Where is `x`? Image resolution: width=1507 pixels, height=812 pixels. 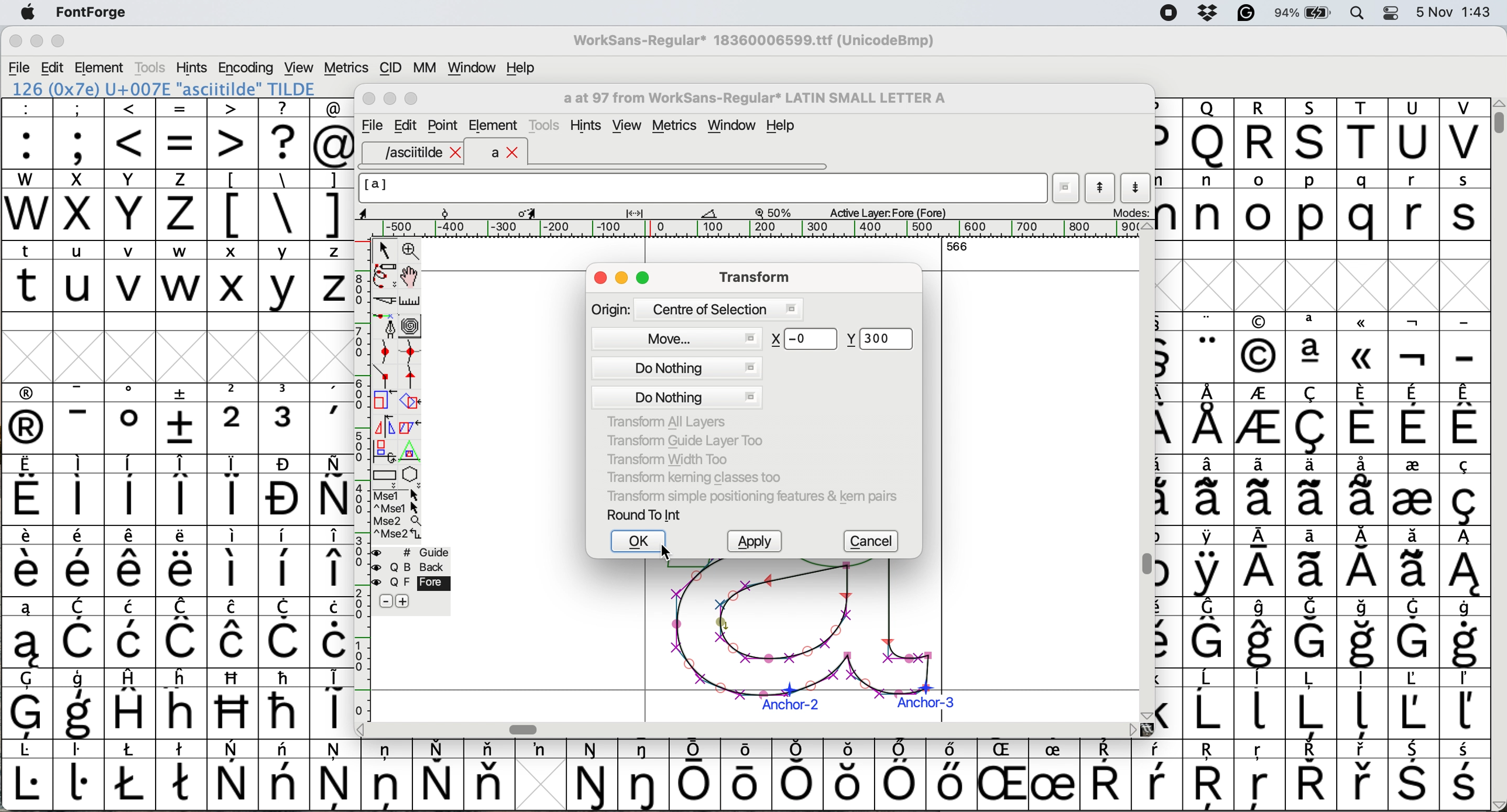 x is located at coordinates (232, 276).